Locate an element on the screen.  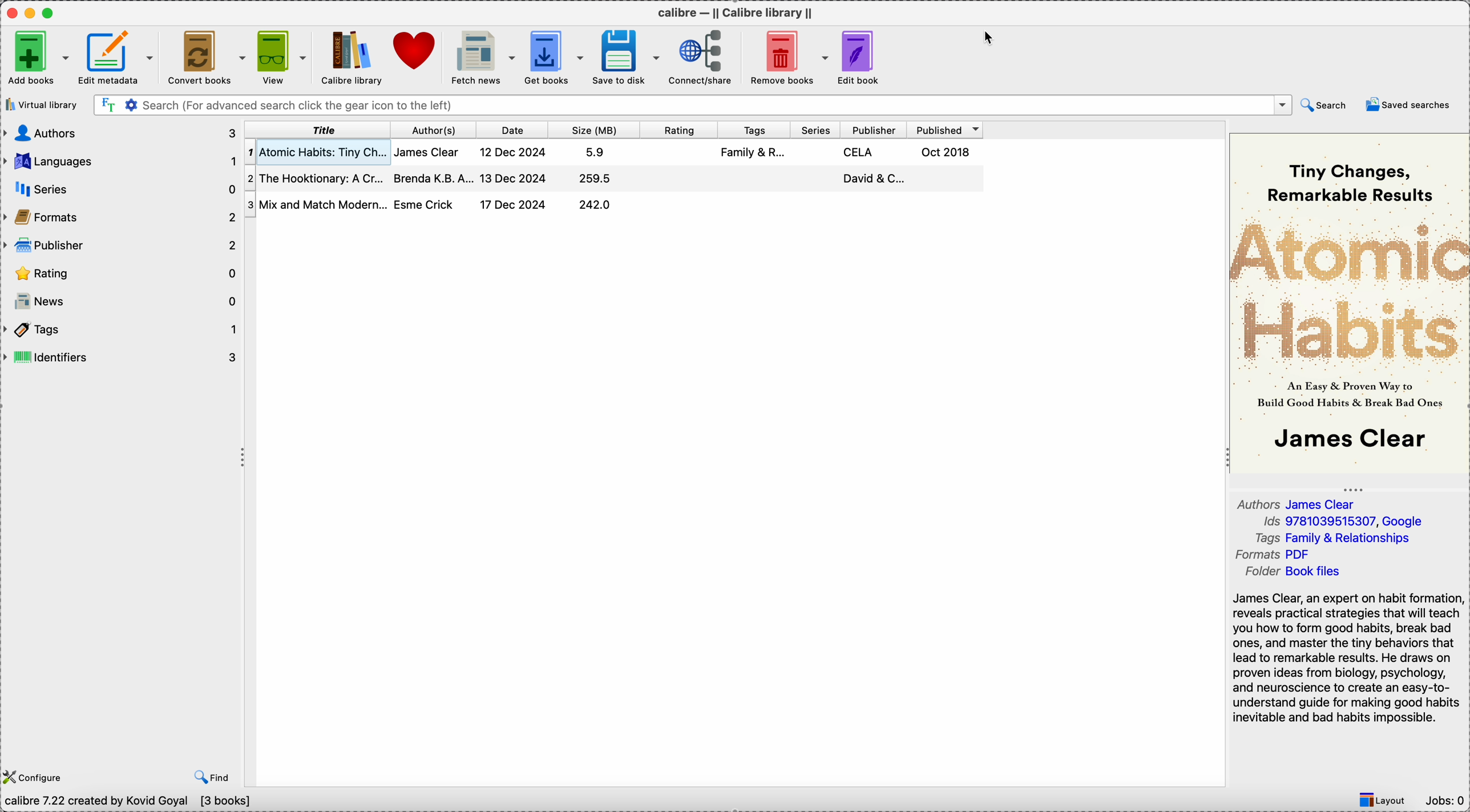
maximize is located at coordinates (50, 12).